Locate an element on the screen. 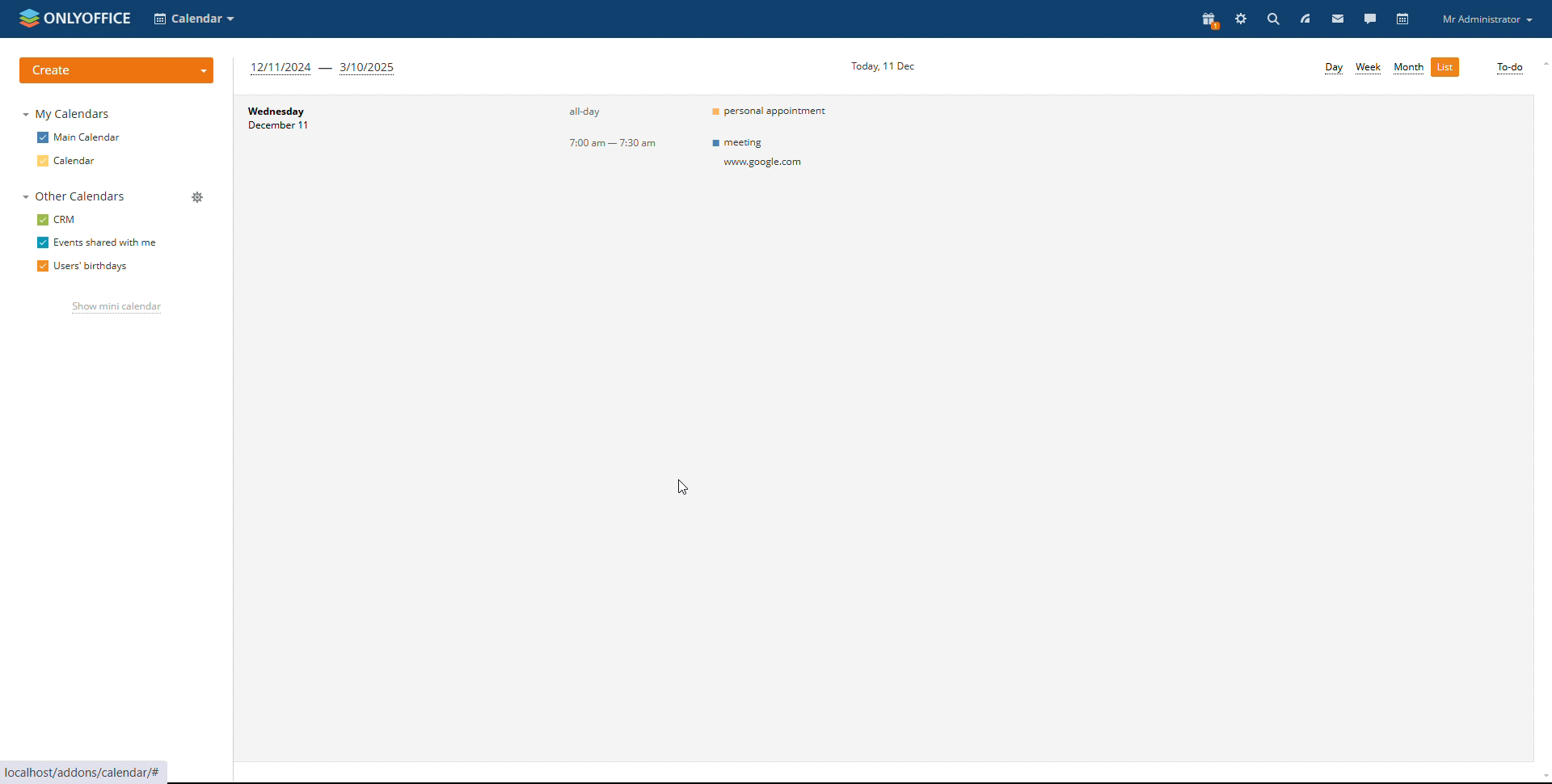  my calendars is located at coordinates (66, 114).